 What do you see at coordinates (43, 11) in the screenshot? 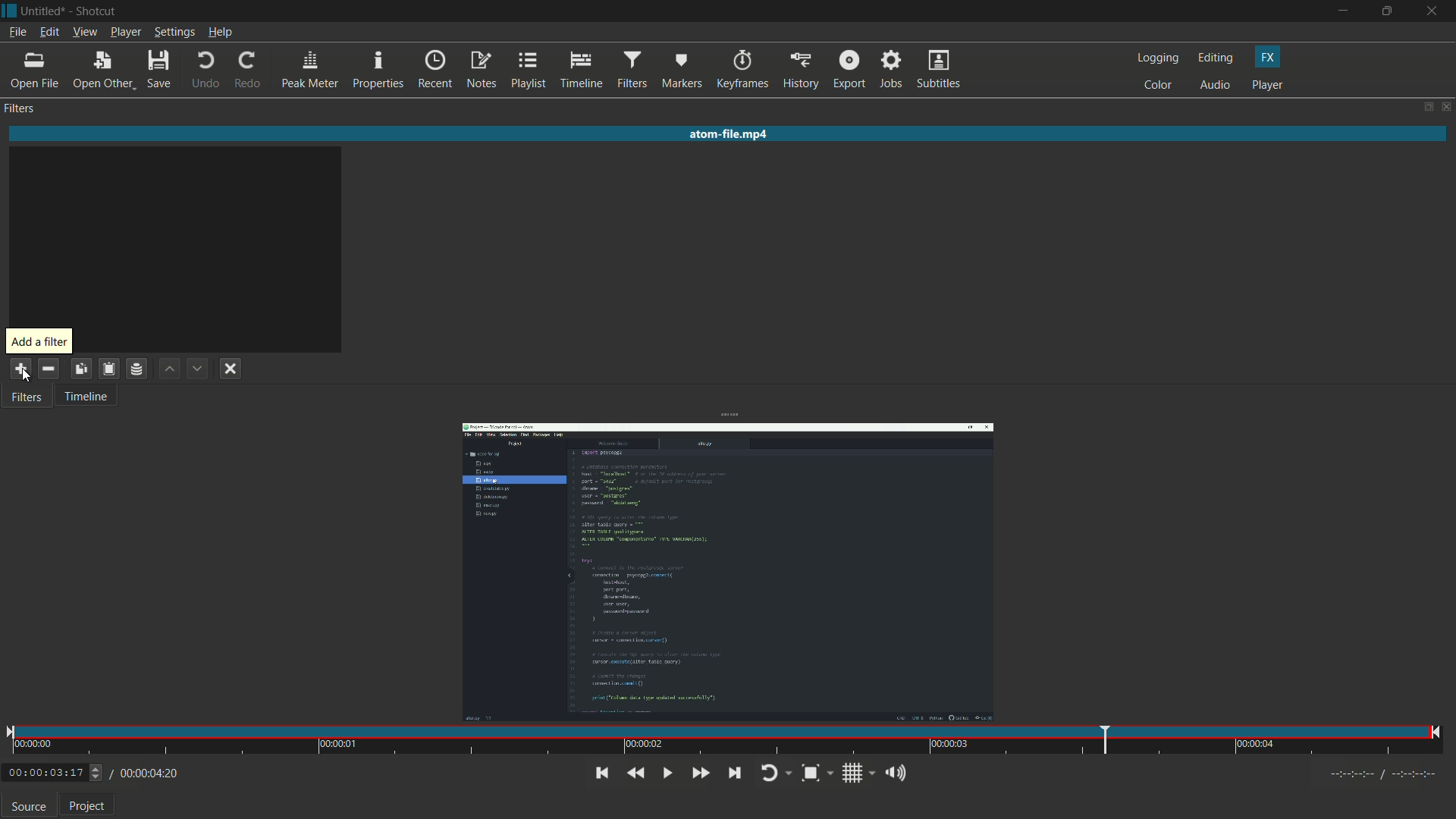
I see `untitled (file name)` at bounding box center [43, 11].